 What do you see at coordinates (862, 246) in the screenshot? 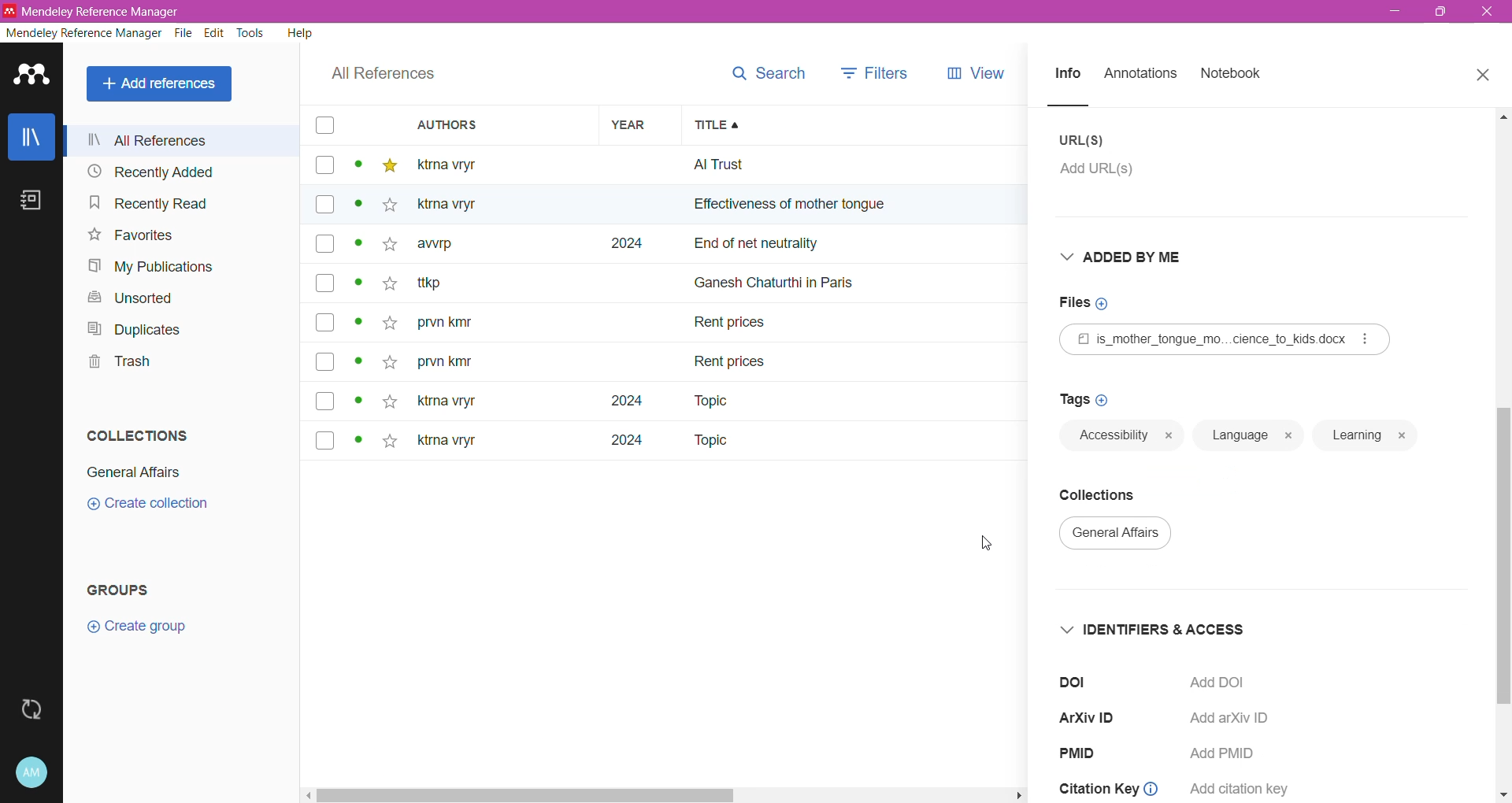
I see `end of net neutrally ` at bounding box center [862, 246].